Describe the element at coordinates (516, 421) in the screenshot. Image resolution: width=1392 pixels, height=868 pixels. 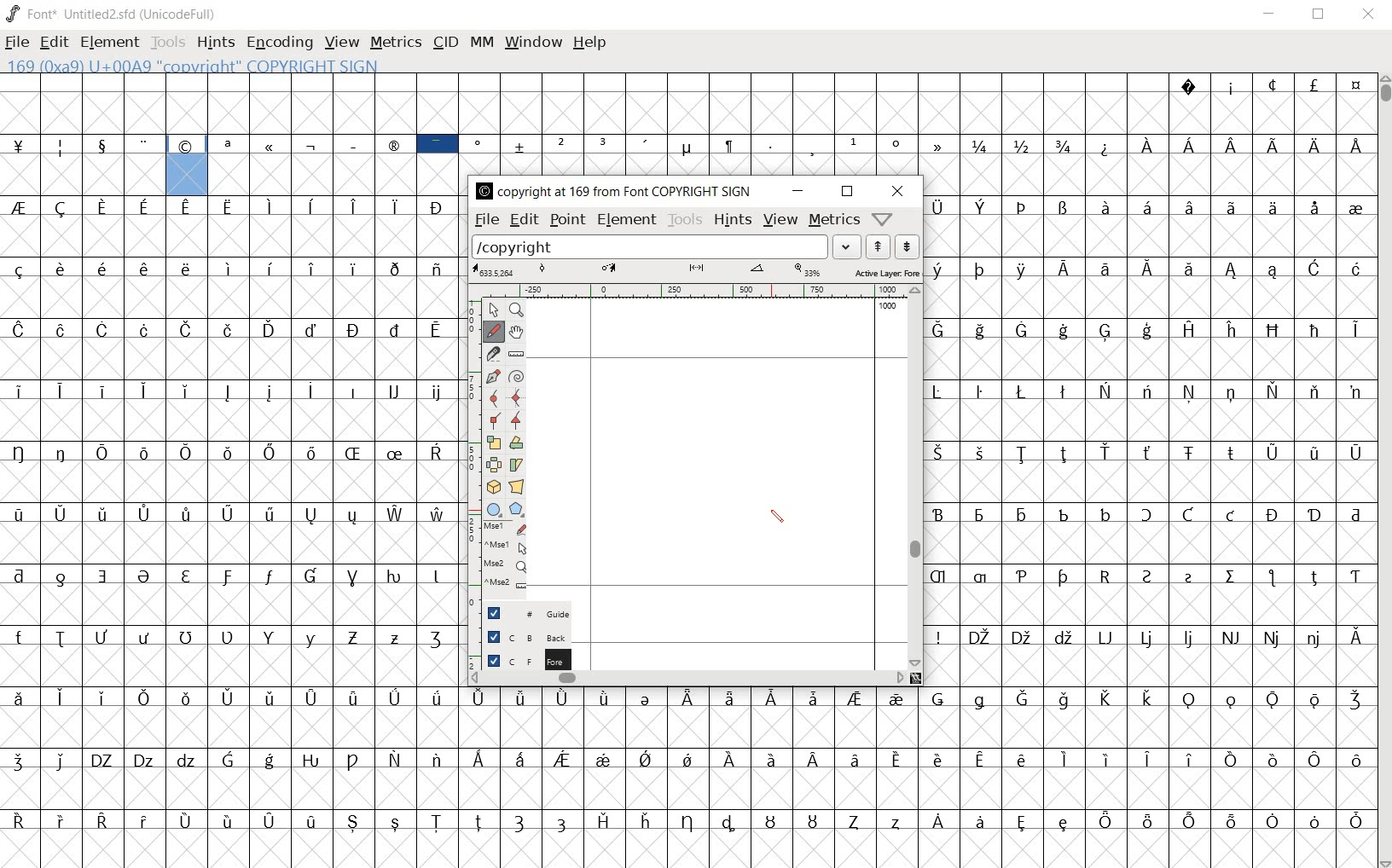
I see `Add a corner point` at that location.